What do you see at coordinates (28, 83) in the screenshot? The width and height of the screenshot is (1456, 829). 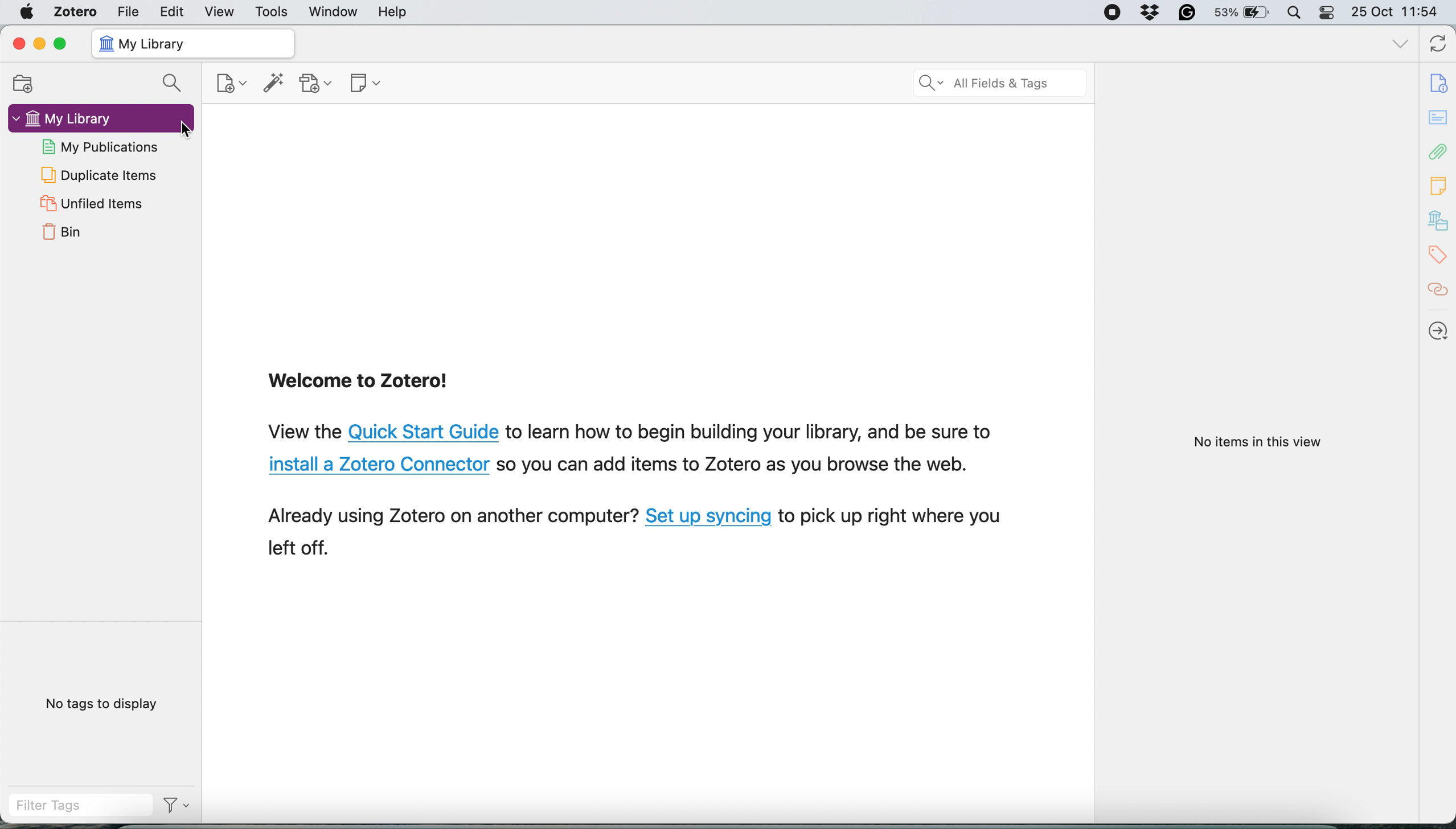 I see `new collection` at bounding box center [28, 83].